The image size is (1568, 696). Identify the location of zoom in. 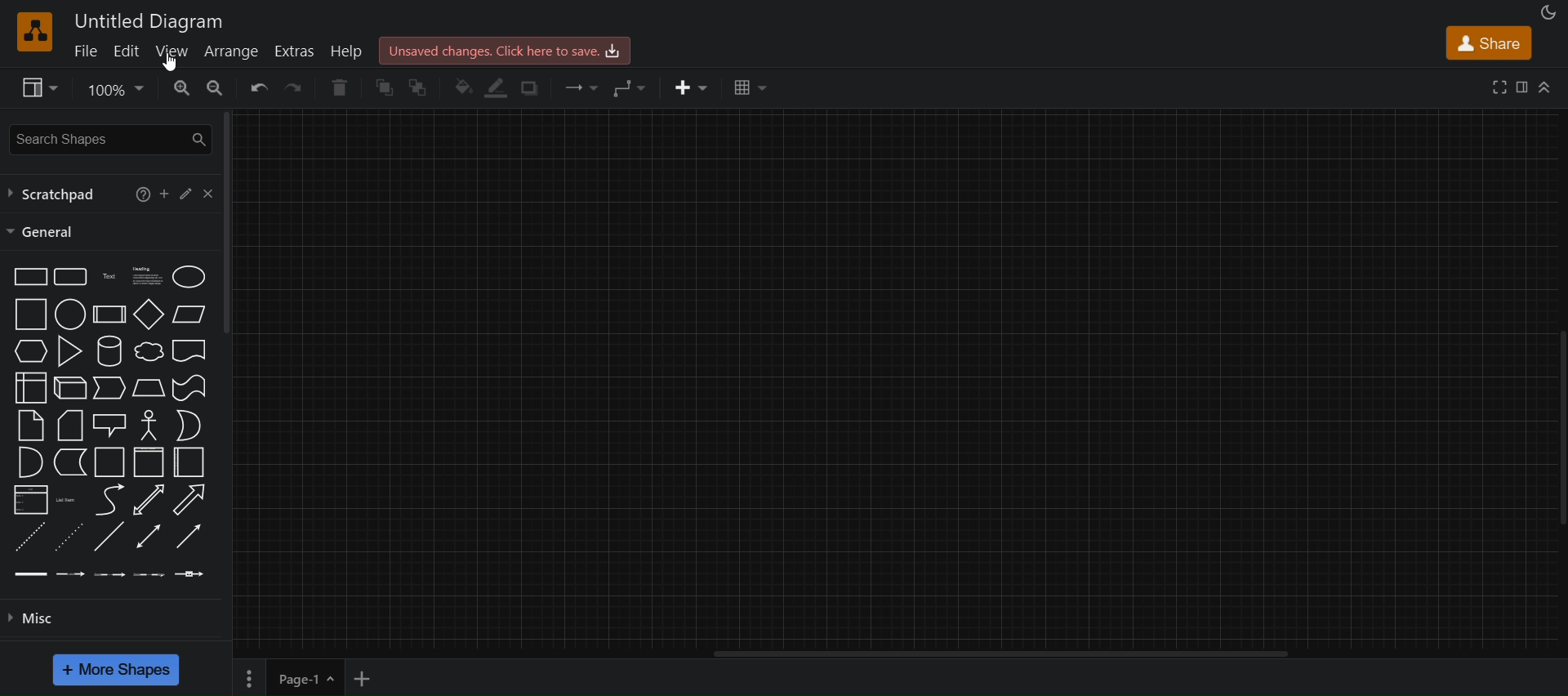
(178, 88).